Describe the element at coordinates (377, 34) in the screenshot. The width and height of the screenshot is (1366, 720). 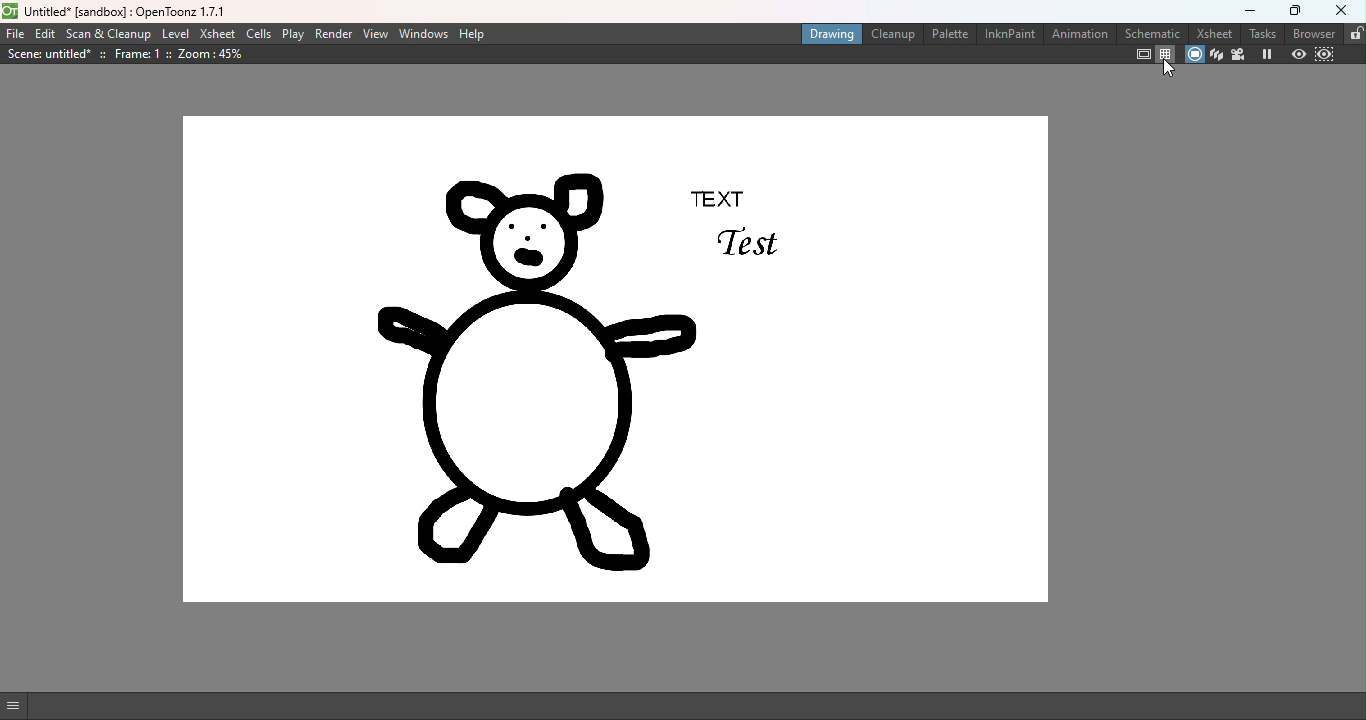
I see `View` at that location.